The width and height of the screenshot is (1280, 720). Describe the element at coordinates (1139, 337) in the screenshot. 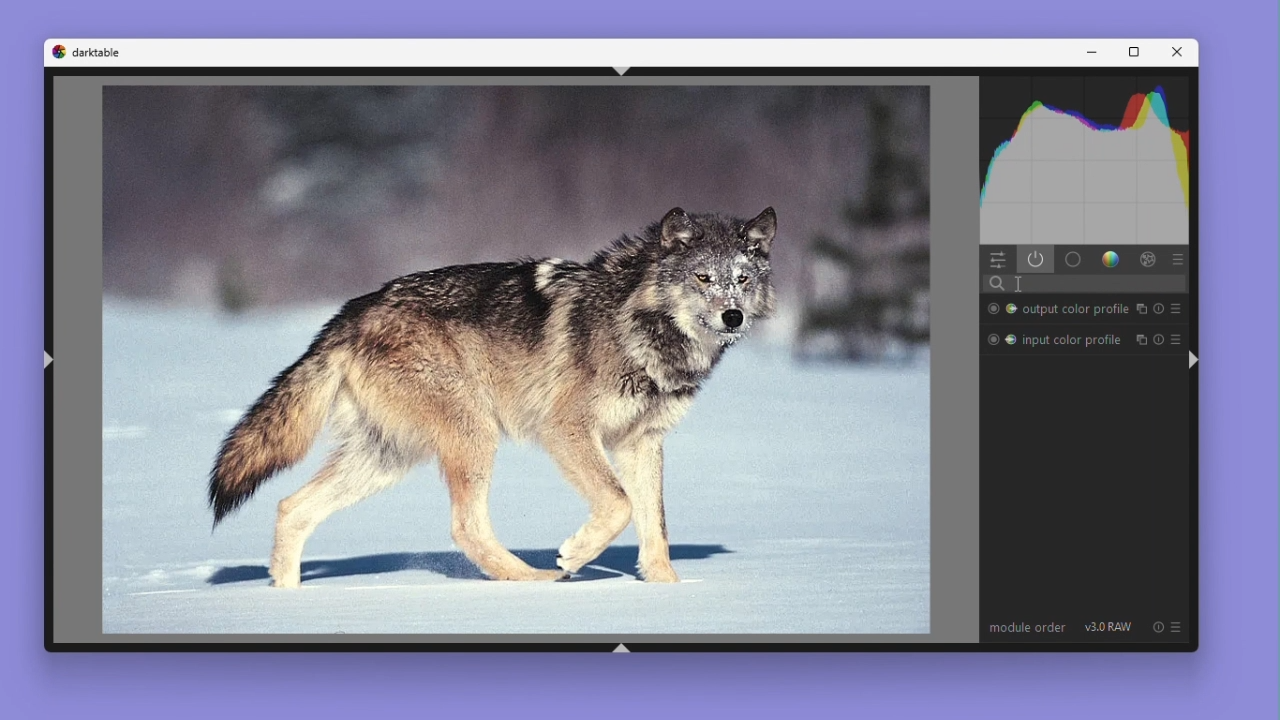

I see `Instance` at that location.